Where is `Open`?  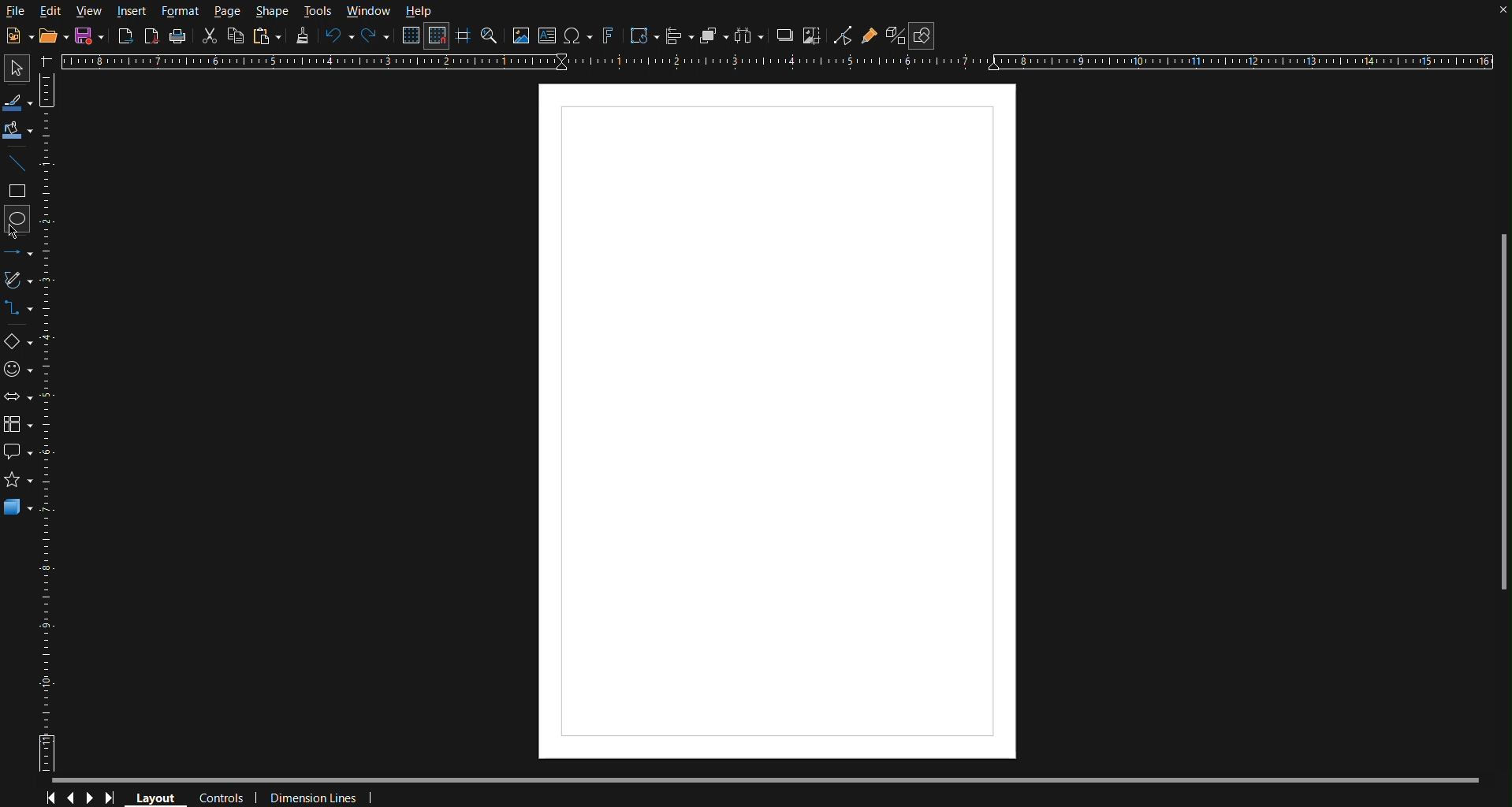 Open is located at coordinates (49, 35).